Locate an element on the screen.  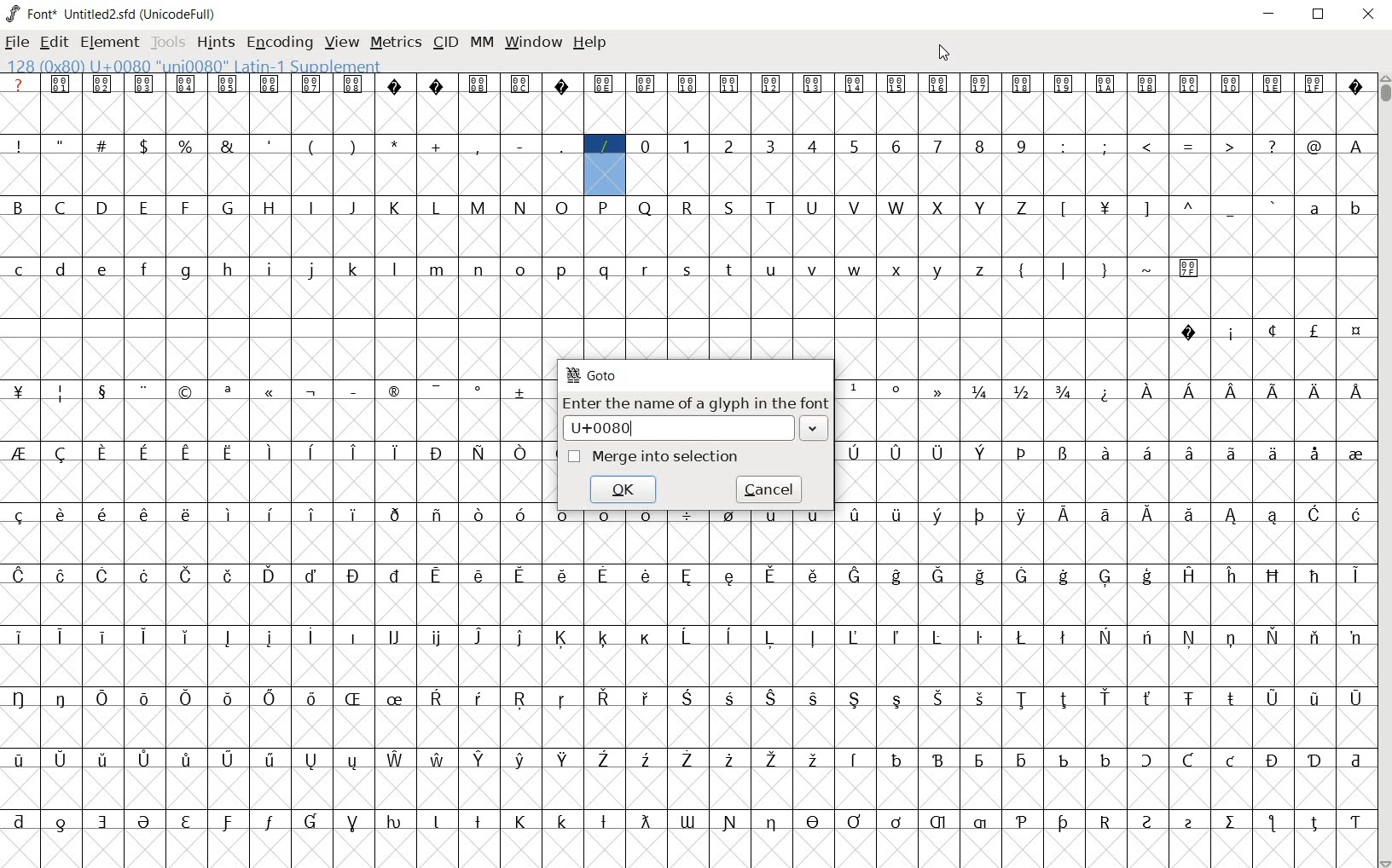
glyph is located at coordinates (395, 144).